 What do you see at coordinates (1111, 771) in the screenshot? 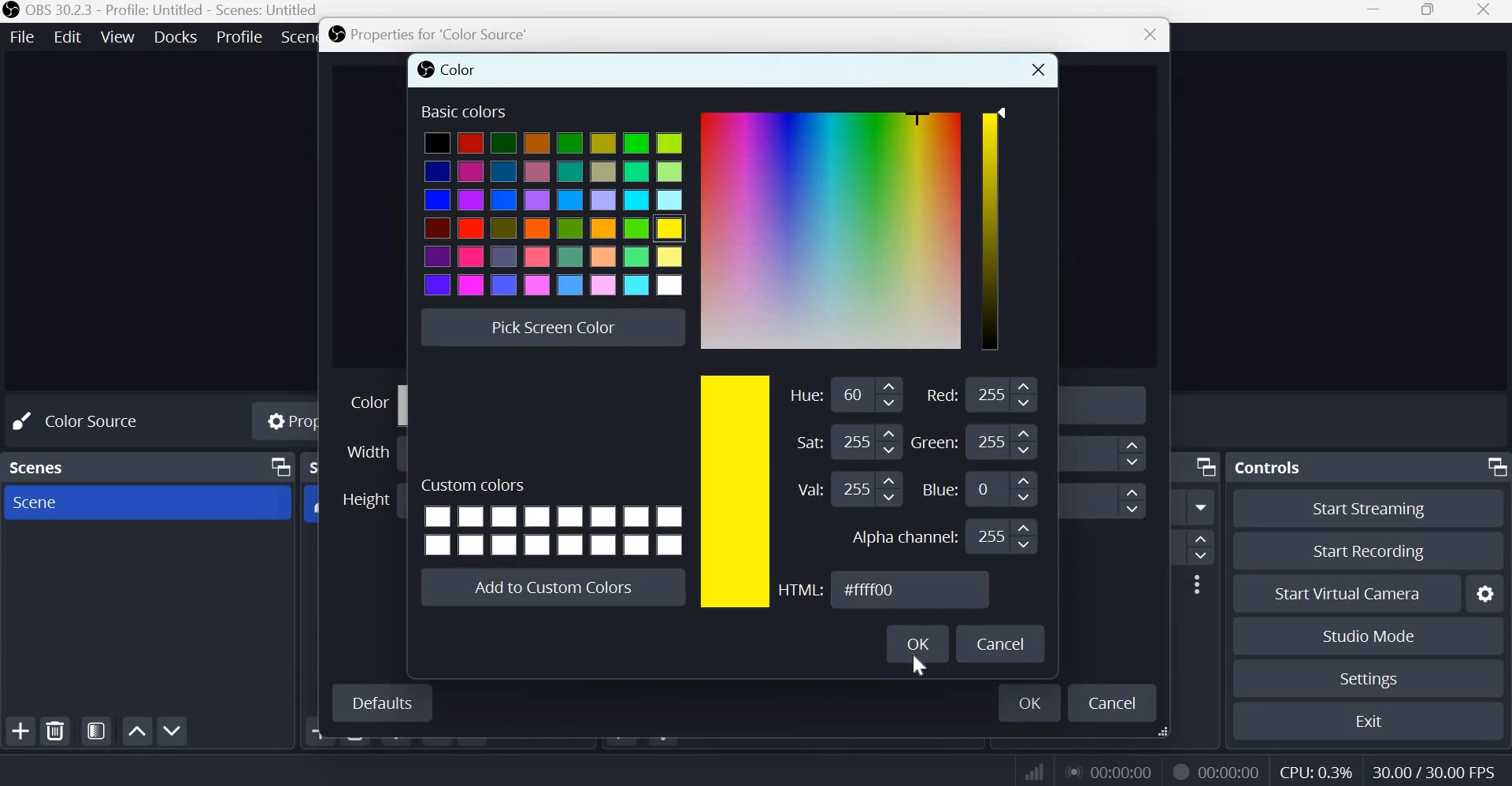
I see `Live Duration Timer` at bounding box center [1111, 771].